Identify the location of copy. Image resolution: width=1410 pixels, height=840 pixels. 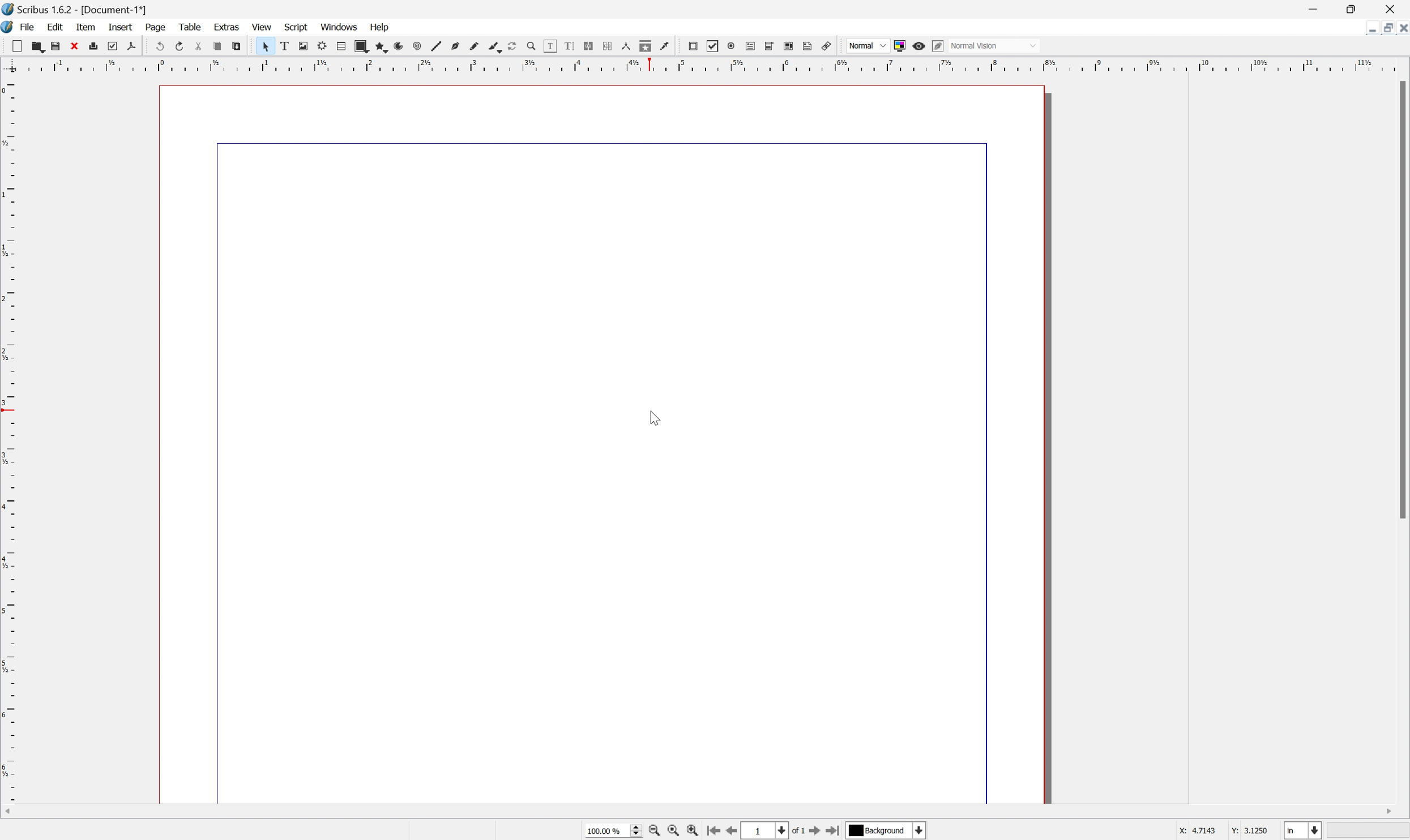
(36, 44).